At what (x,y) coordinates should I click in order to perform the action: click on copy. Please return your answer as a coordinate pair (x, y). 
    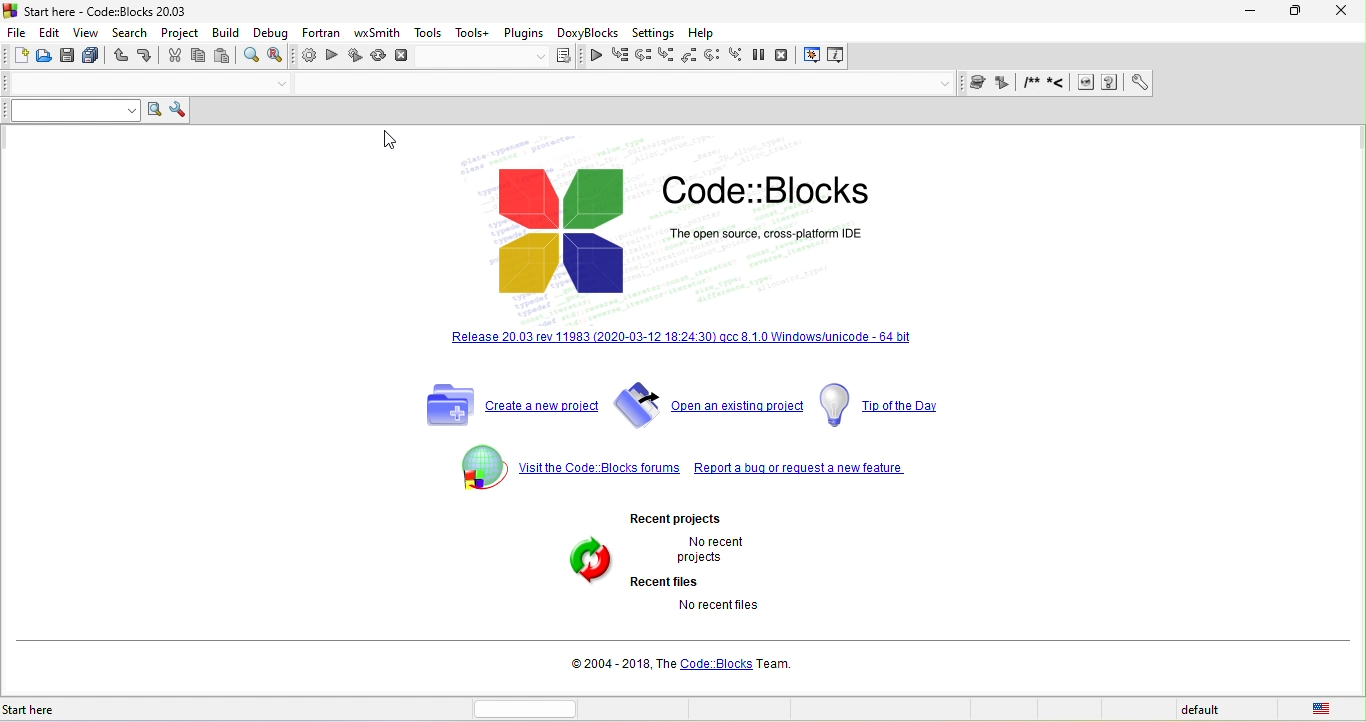
    Looking at the image, I should click on (199, 56).